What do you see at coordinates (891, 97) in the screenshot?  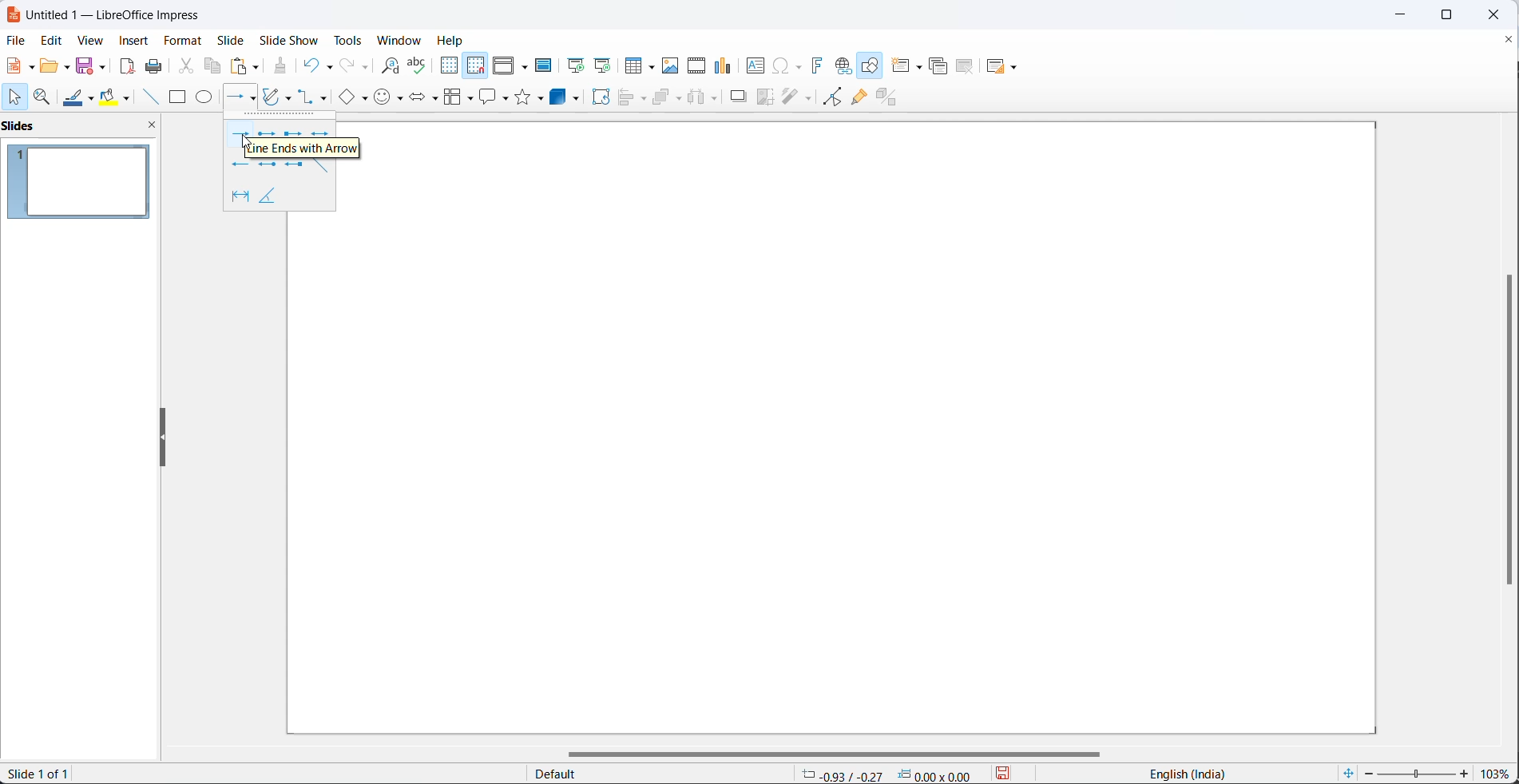 I see `toggle extrusion` at bounding box center [891, 97].